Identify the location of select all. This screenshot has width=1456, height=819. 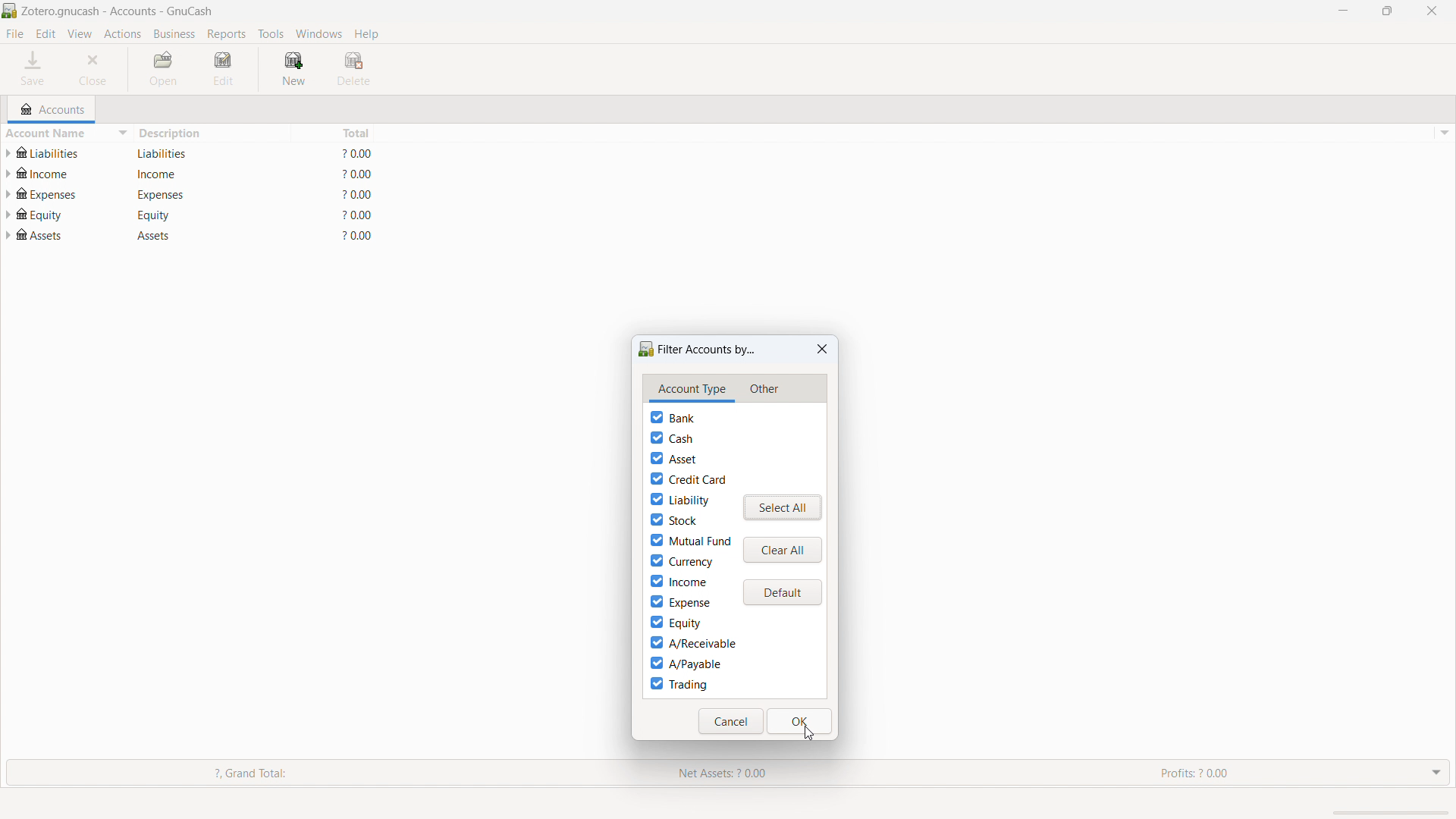
(781, 508).